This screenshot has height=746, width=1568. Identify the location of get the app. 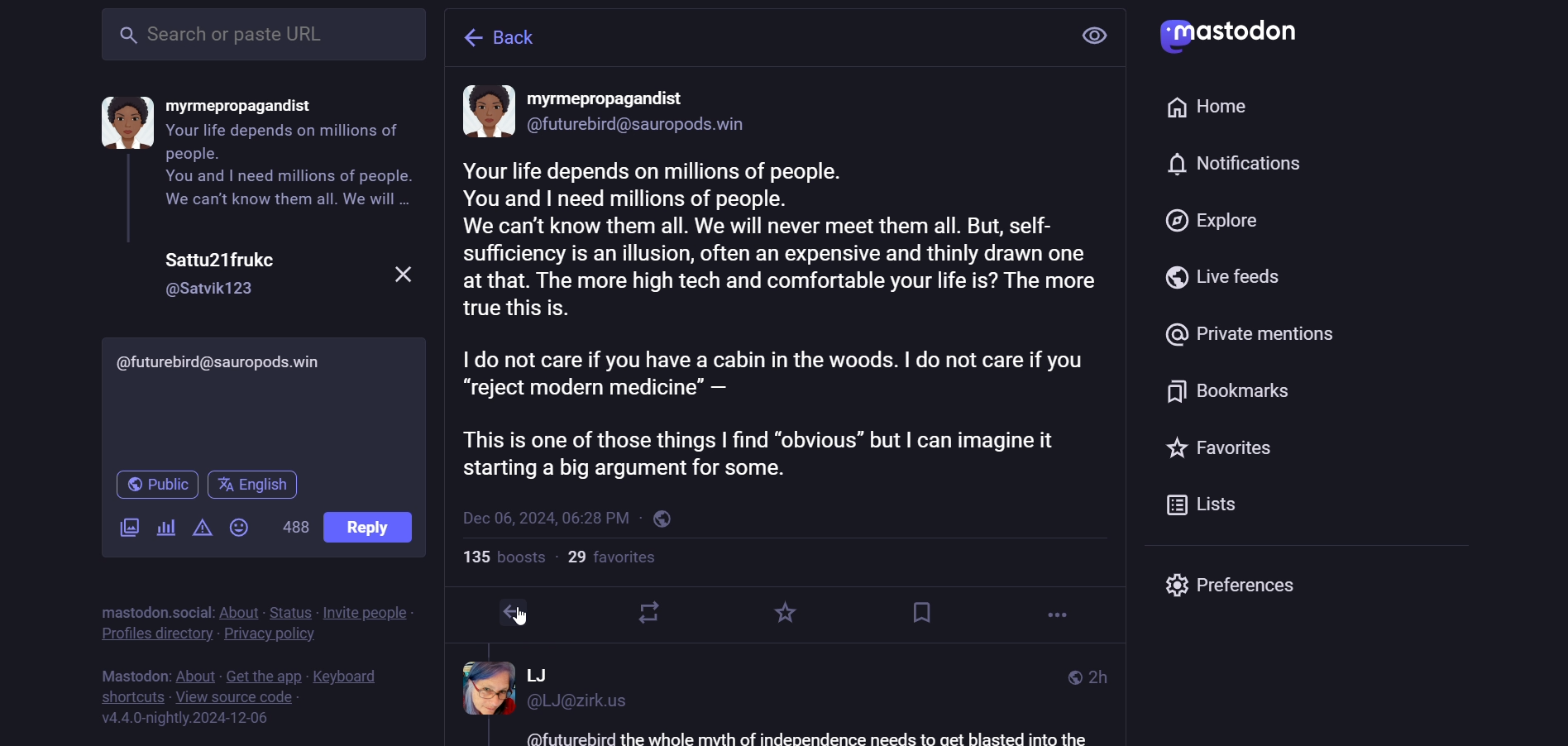
(261, 676).